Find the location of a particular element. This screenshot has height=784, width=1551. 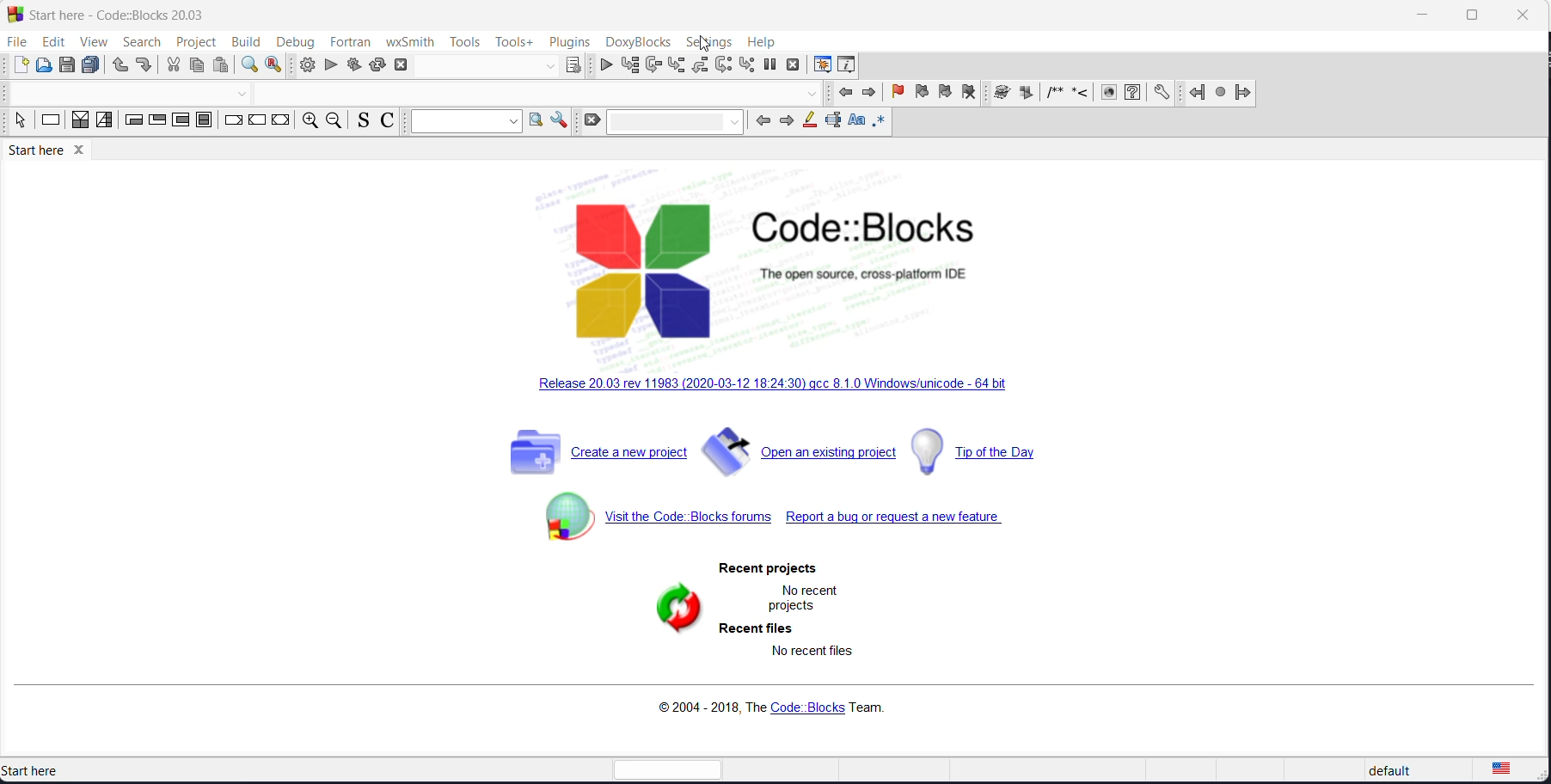

continue instruction is located at coordinates (259, 121).